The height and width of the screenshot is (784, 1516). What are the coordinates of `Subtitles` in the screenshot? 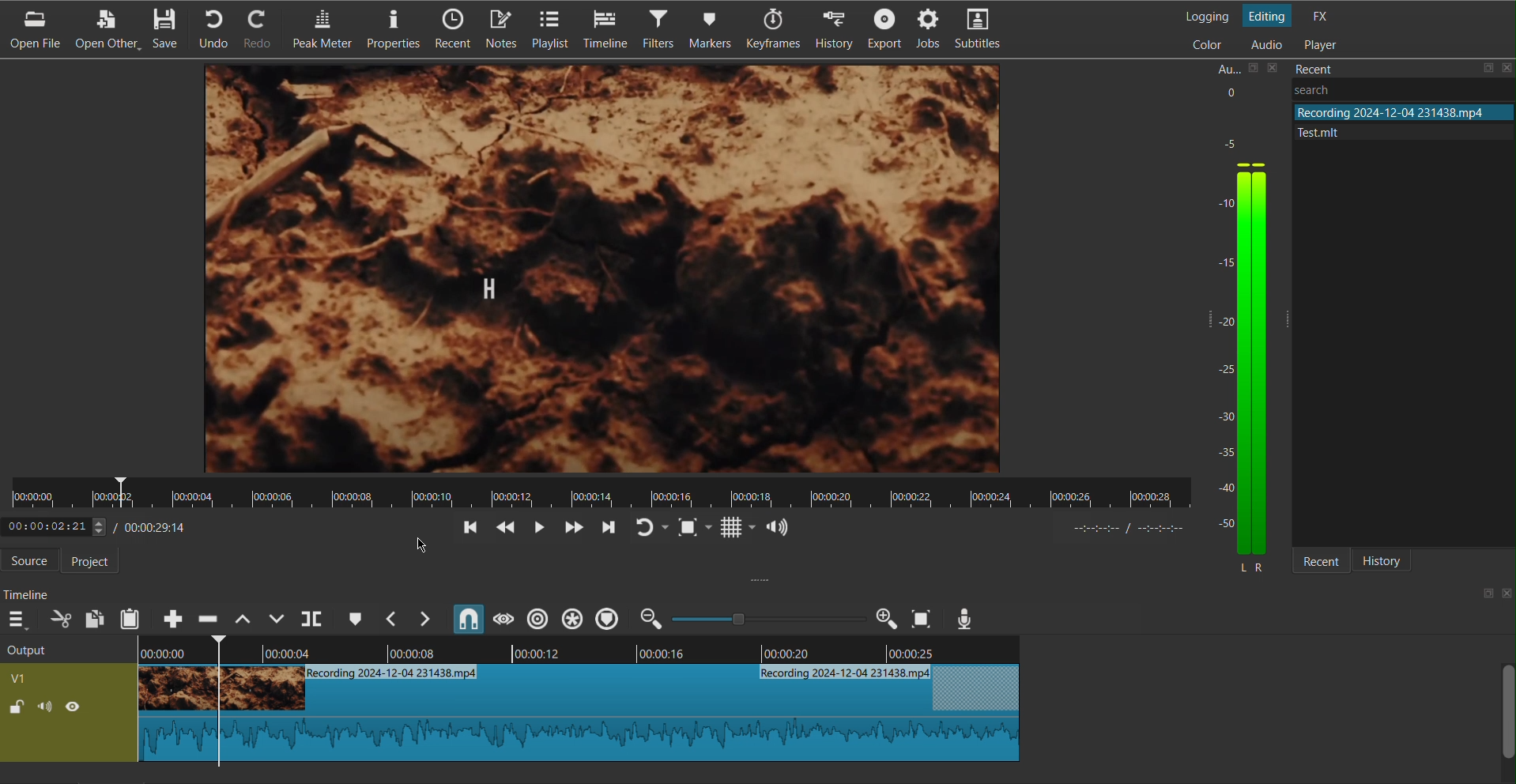 It's located at (983, 32).